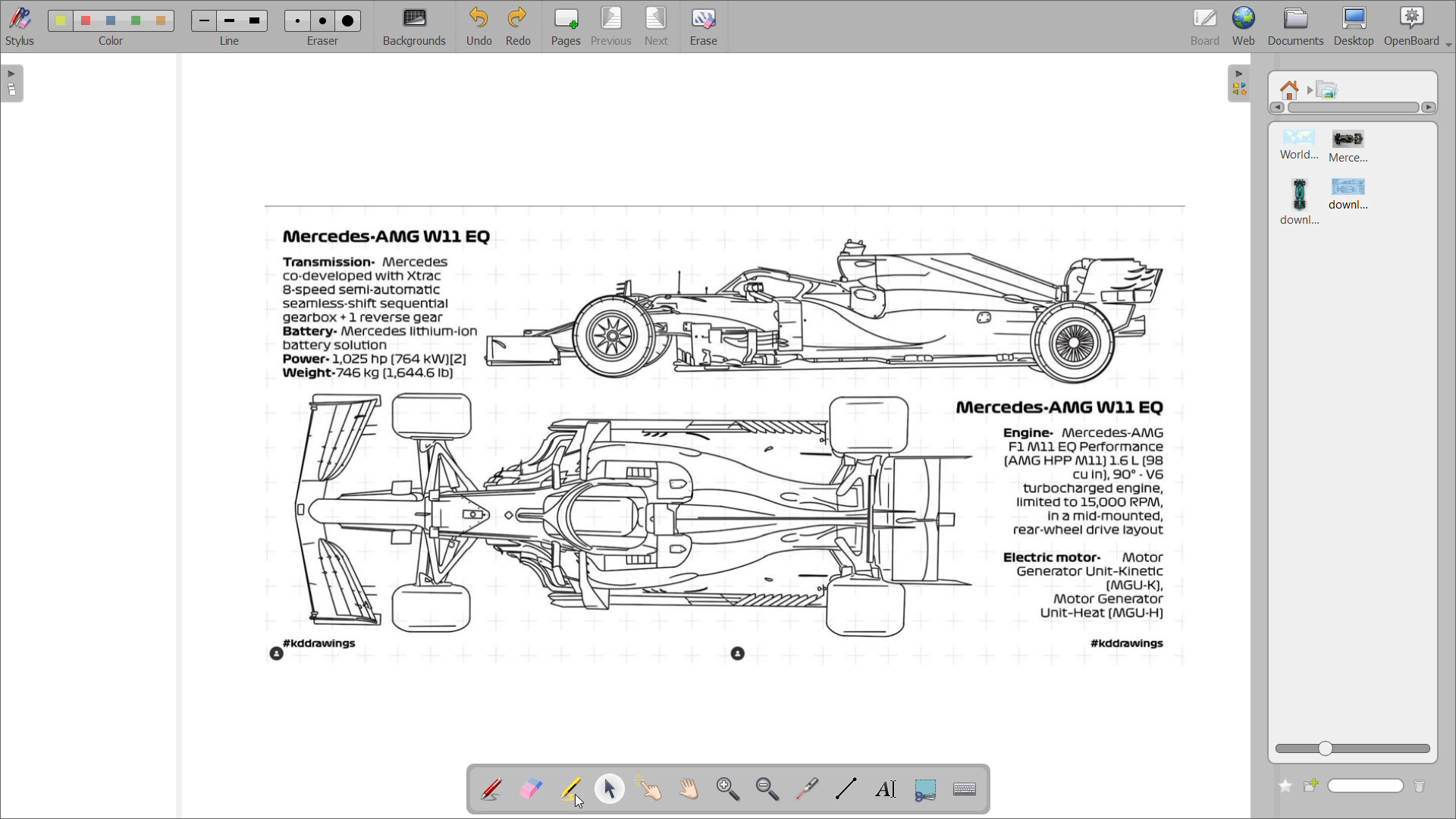 The width and height of the screenshot is (1456, 819). I want to click on capture part of screen, so click(924, 788).